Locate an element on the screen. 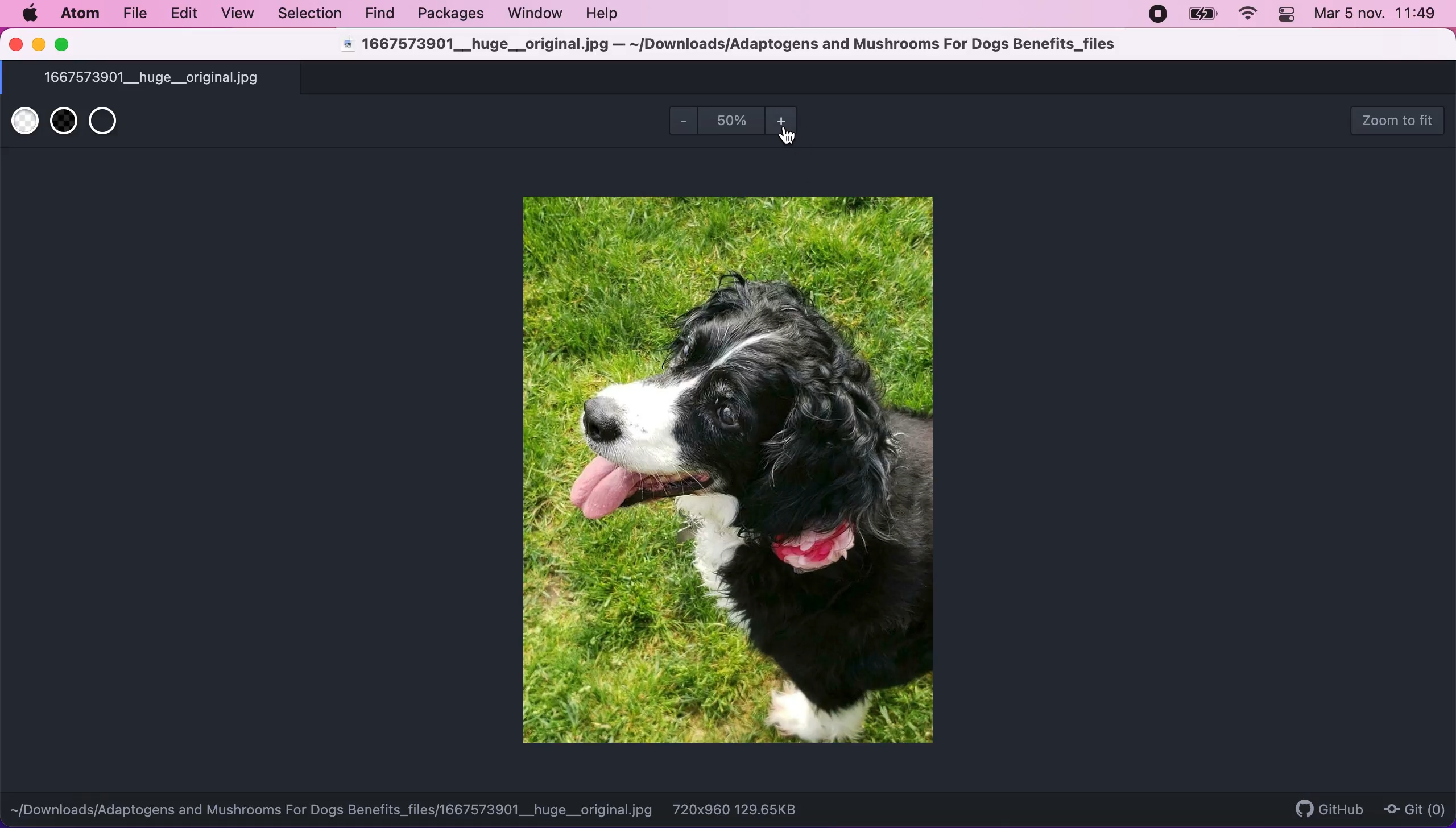 The height and width of the screenshot is (828, 1456). 1667573901_huge_original.jpg is located at coordinates (175, 78).